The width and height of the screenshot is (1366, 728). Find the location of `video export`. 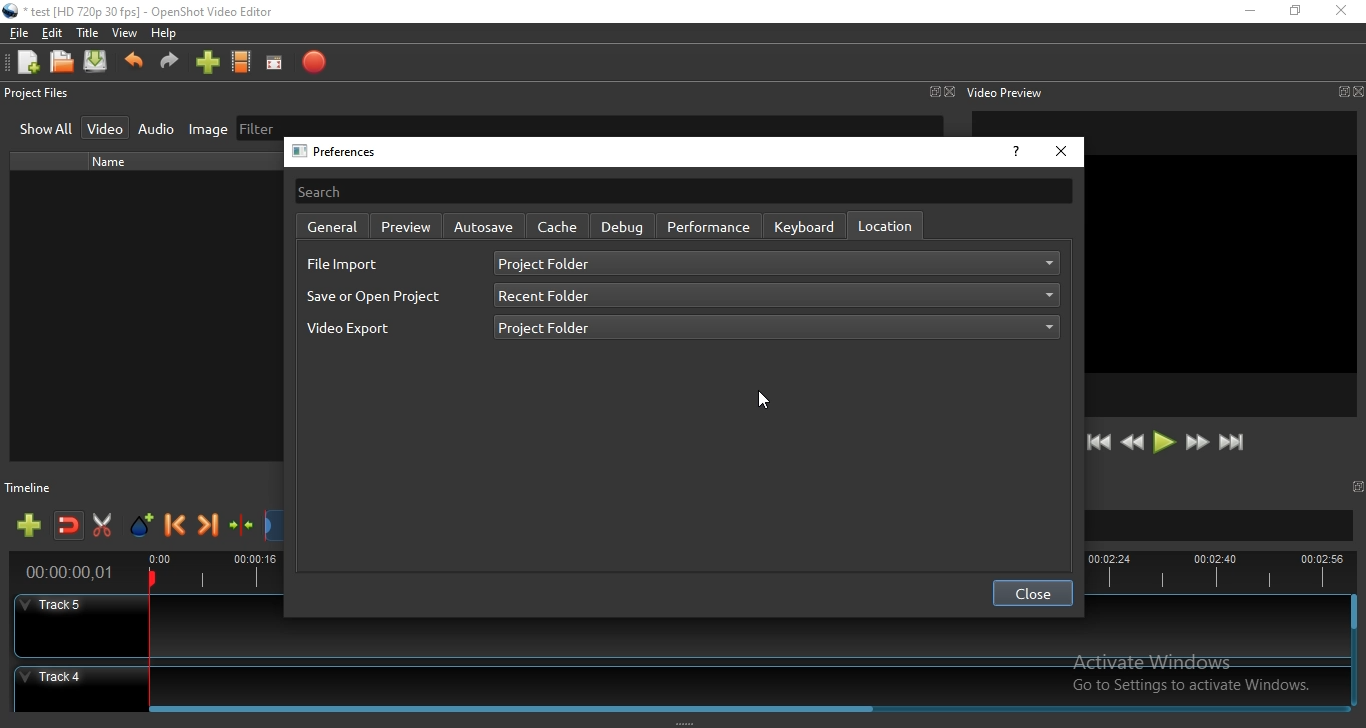

video export is located at coordinates (360, 334).